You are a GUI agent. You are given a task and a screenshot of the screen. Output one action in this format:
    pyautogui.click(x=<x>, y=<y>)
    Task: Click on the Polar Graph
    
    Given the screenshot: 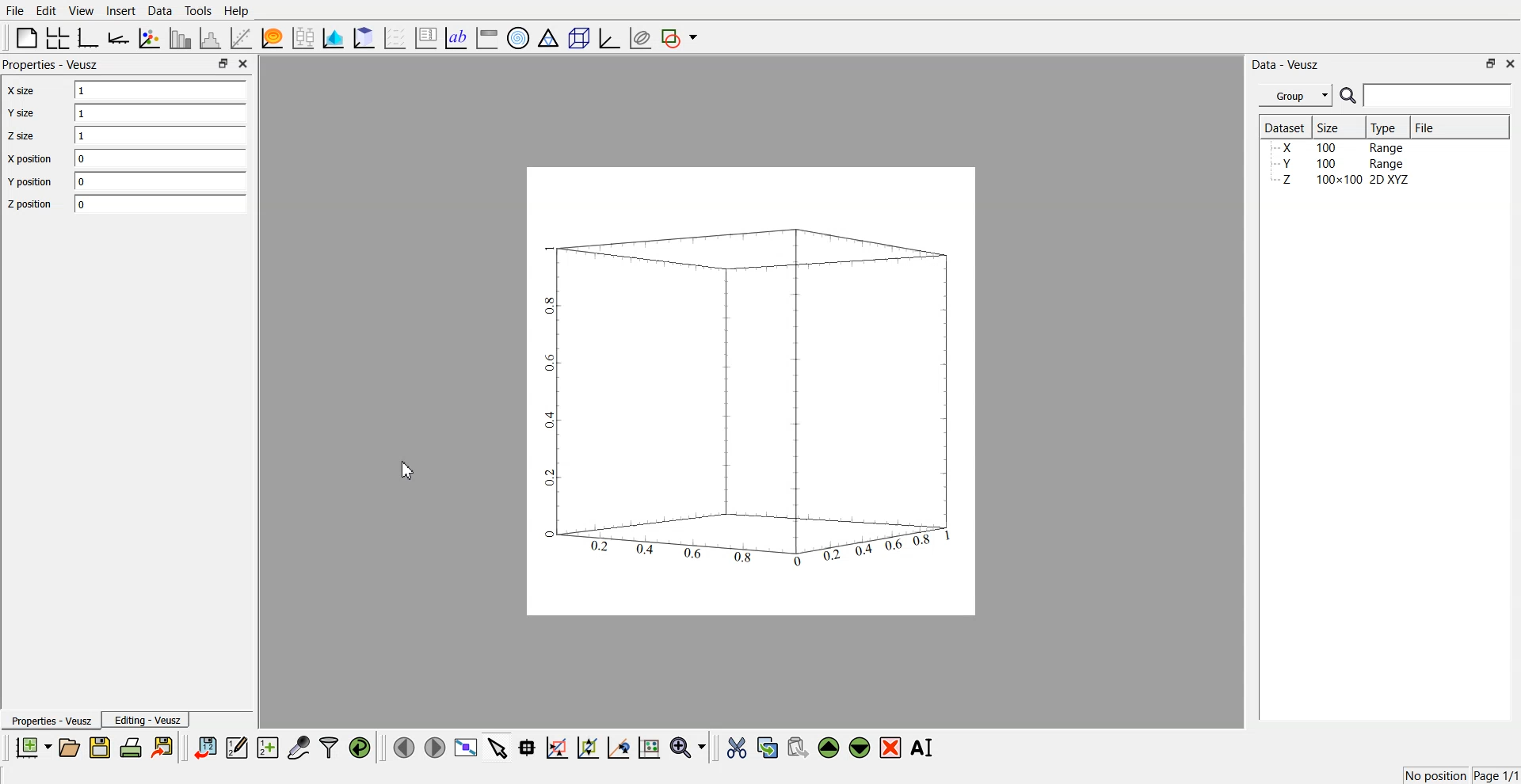 What is the action you would take?
    pyautogui.click(x=518, y=38)
    